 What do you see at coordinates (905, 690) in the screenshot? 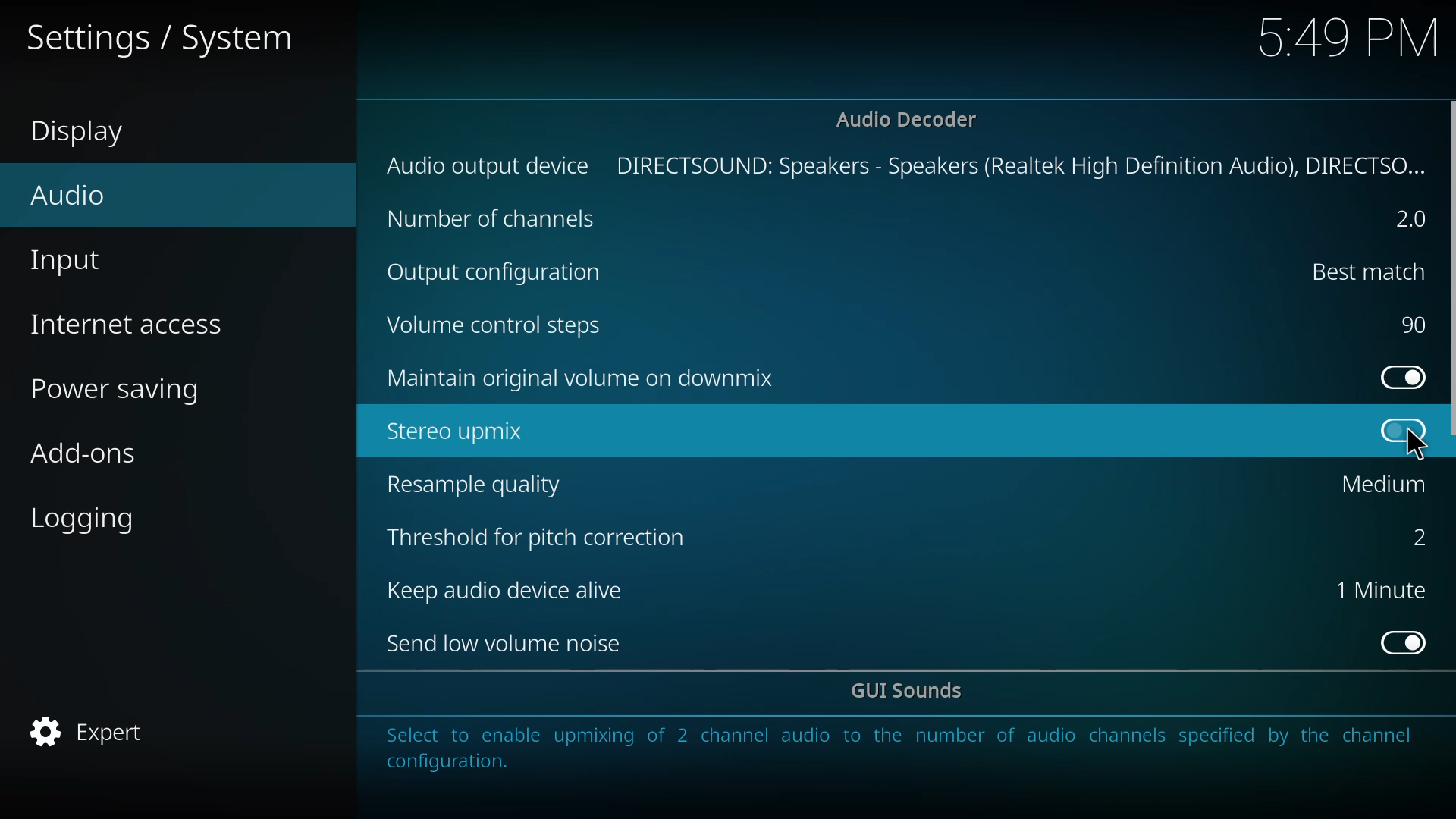
I see `gui sounds` at bounding box center [905, 690].